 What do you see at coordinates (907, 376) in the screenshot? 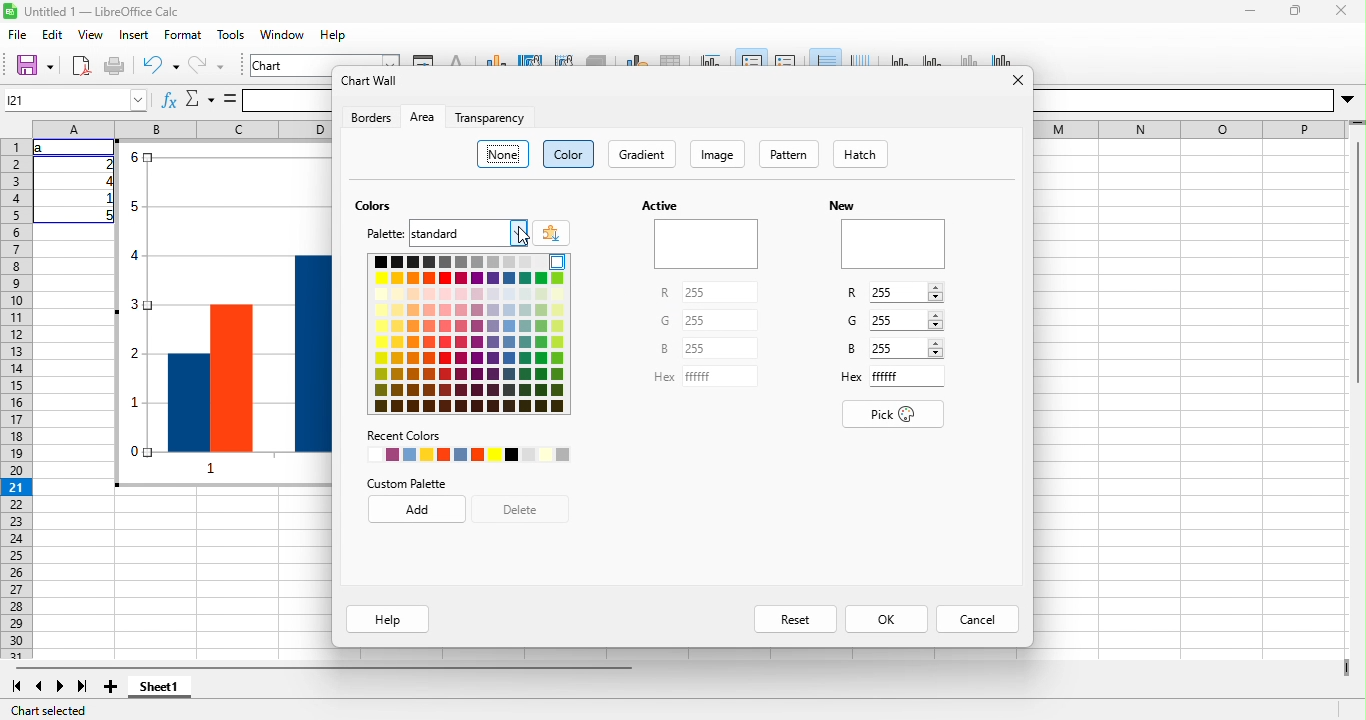
I see `Input for Hex code` at bounding box center [907, 376].